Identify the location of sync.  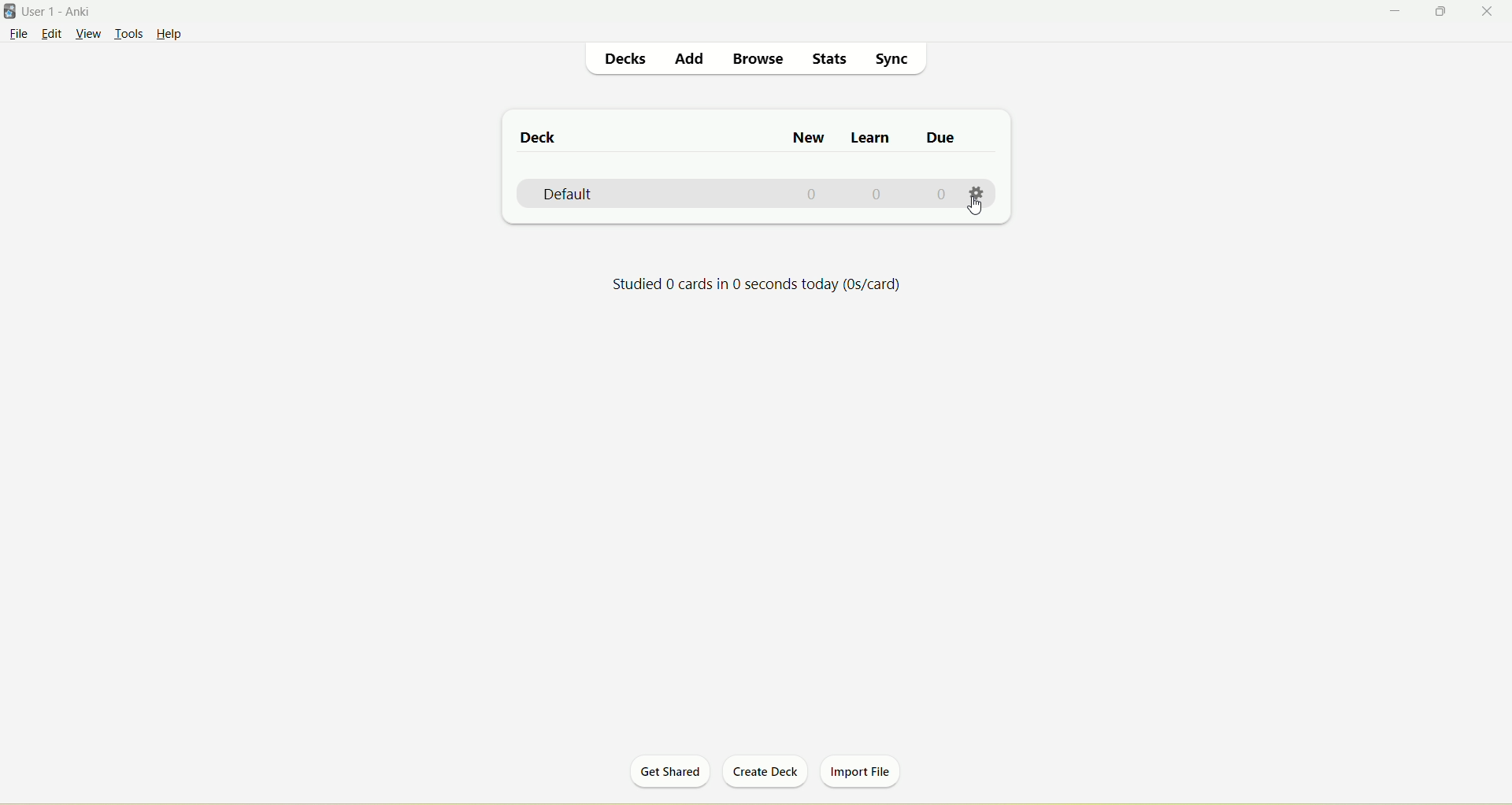
(897, 61).